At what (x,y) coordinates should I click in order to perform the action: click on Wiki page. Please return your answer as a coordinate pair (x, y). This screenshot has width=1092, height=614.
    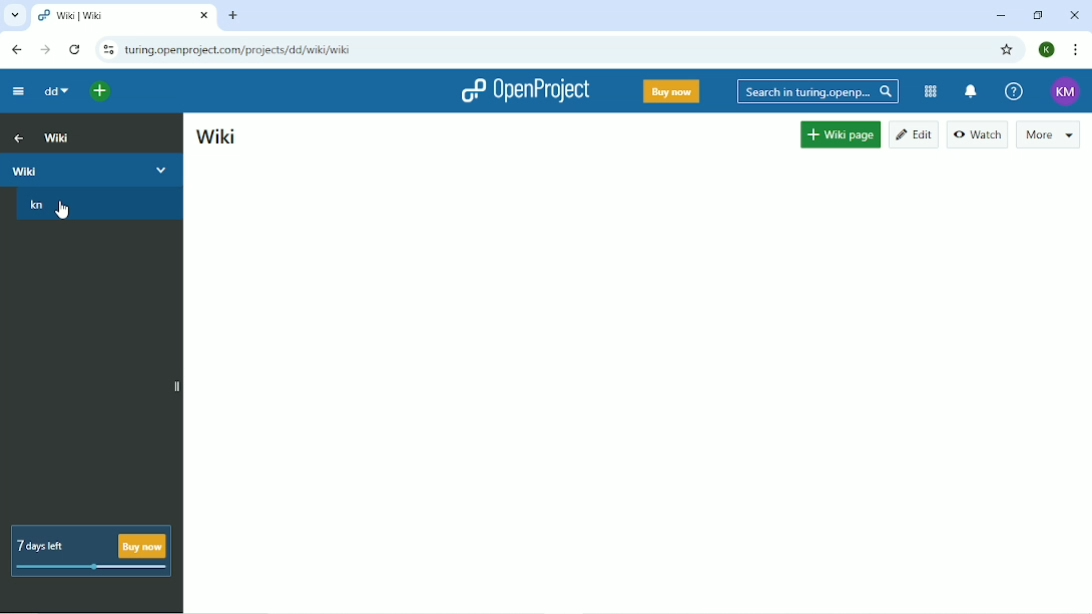
    Looking at the image, I should click on (839, 135).